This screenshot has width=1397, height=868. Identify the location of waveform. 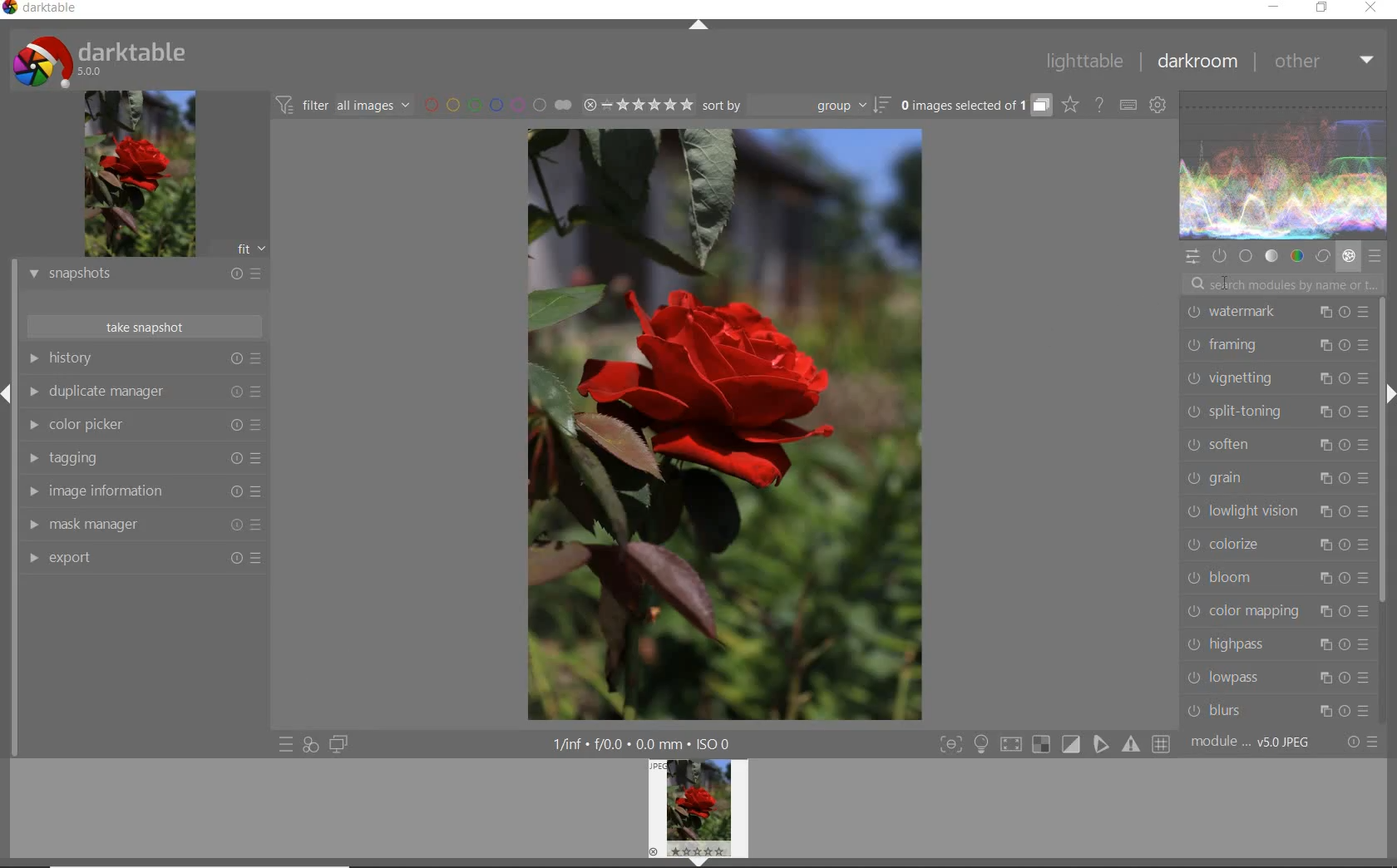
(1284, 163).